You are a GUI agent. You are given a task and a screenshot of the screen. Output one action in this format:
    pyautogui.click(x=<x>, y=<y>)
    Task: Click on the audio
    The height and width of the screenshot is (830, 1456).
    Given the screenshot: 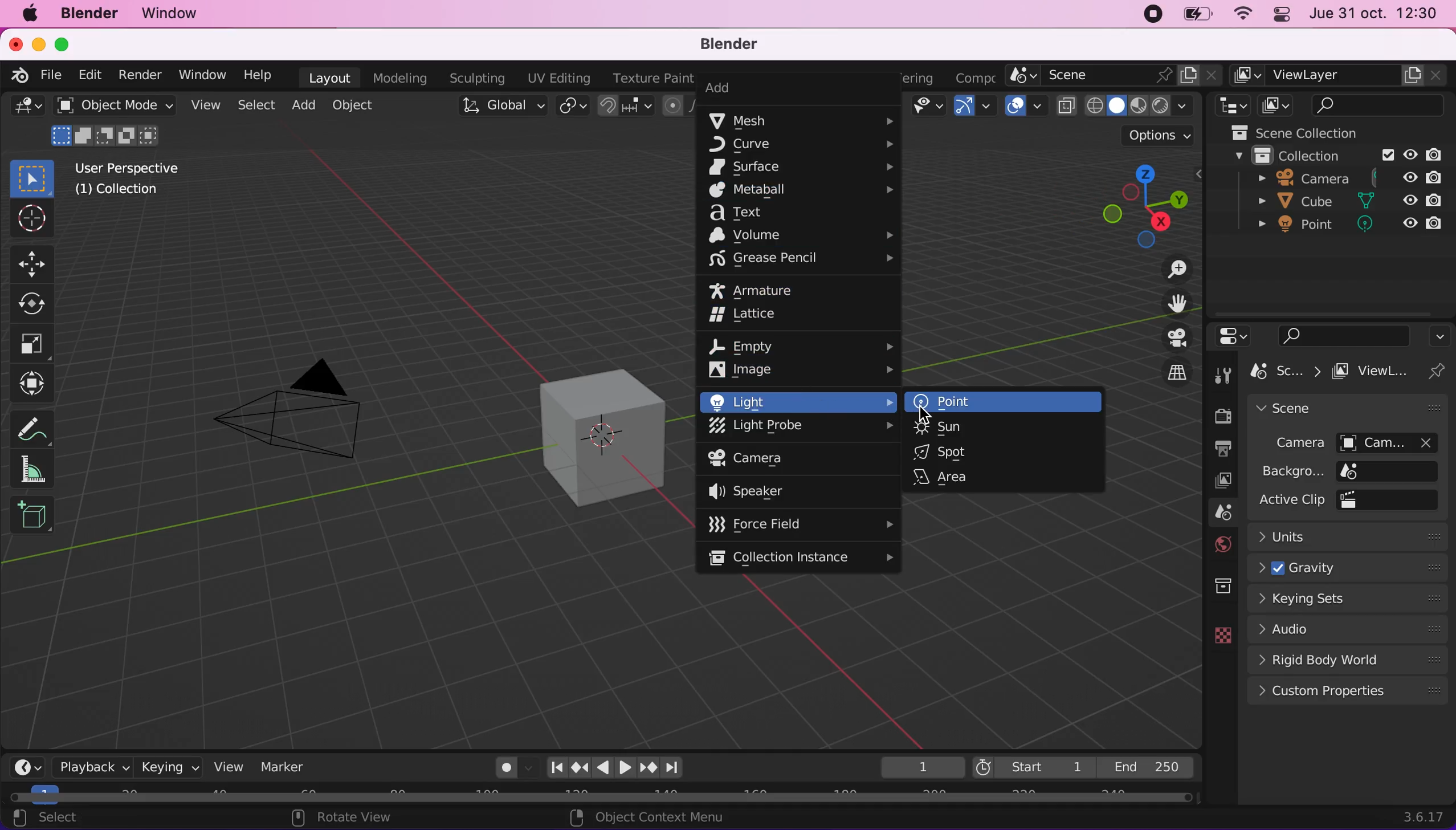 What is the action you would take?
    pyautogui.click(x=1344, y=632)
    